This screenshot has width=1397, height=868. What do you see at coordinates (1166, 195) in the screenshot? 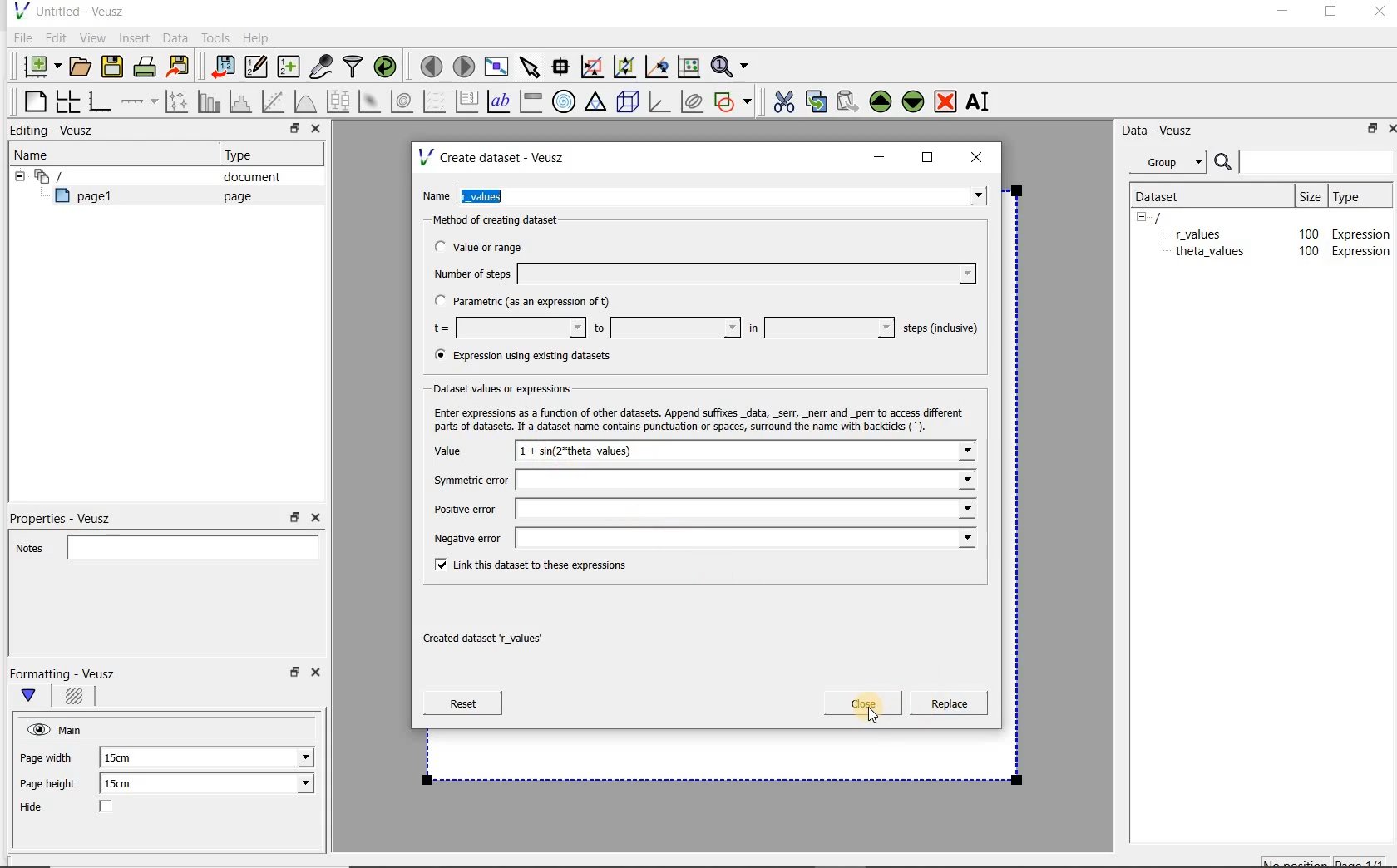
I see `Dataset` at bounding box center [1166, 195].